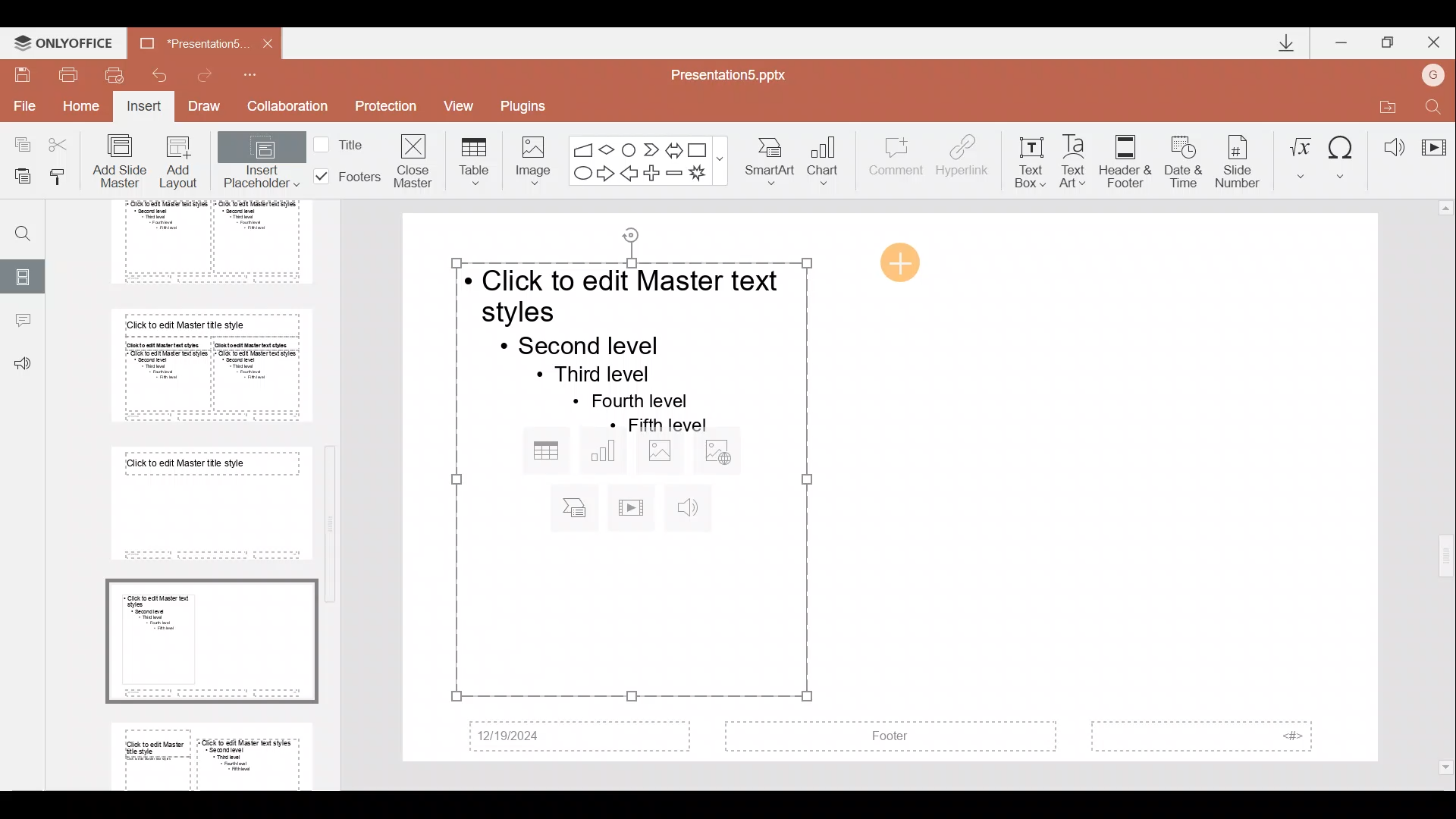  Describe the element at coordinates (1156, 488) in the screenshot. I see `Presentation slide` at that location.